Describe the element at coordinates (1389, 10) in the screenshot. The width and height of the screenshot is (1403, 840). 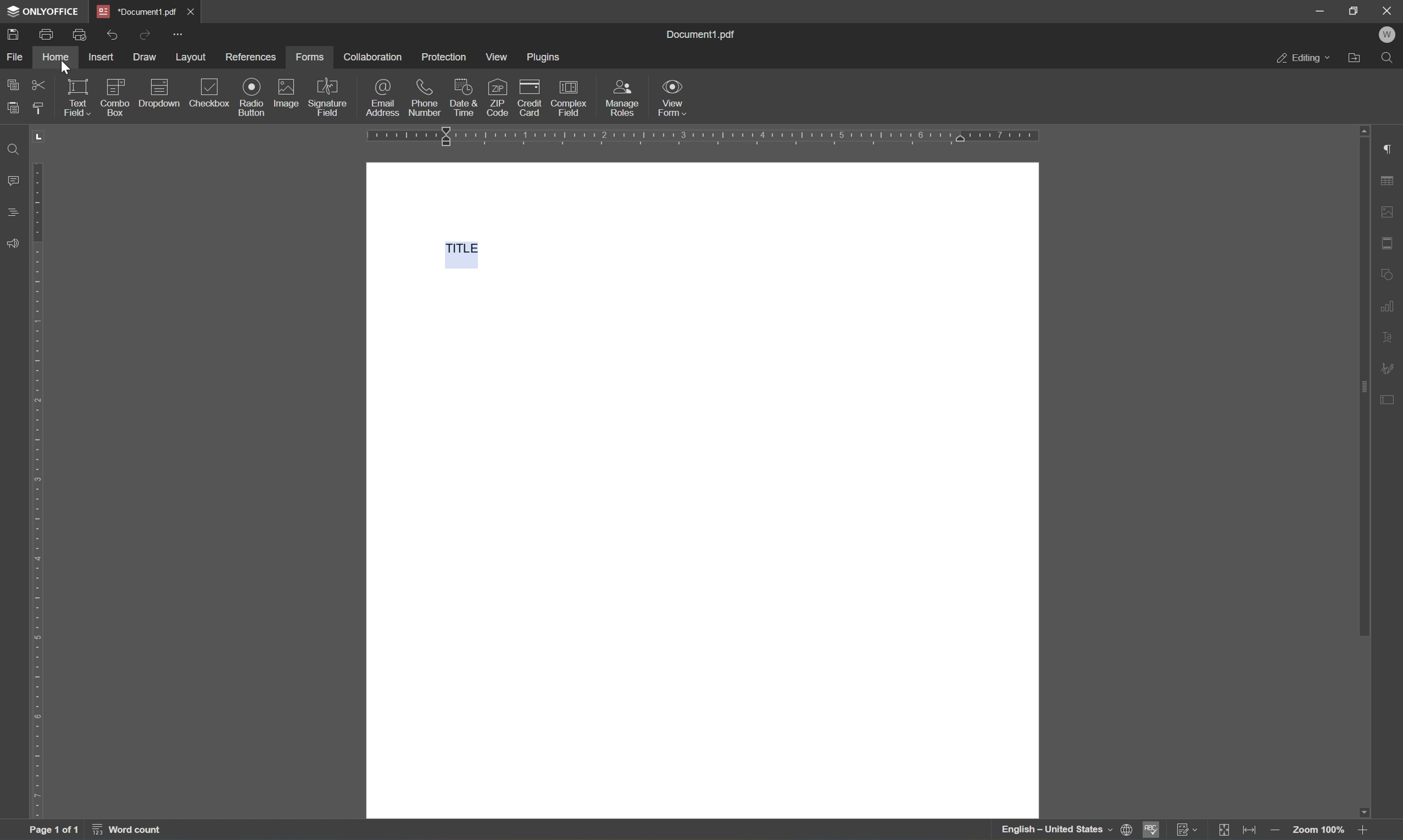
I see `close` at that location.